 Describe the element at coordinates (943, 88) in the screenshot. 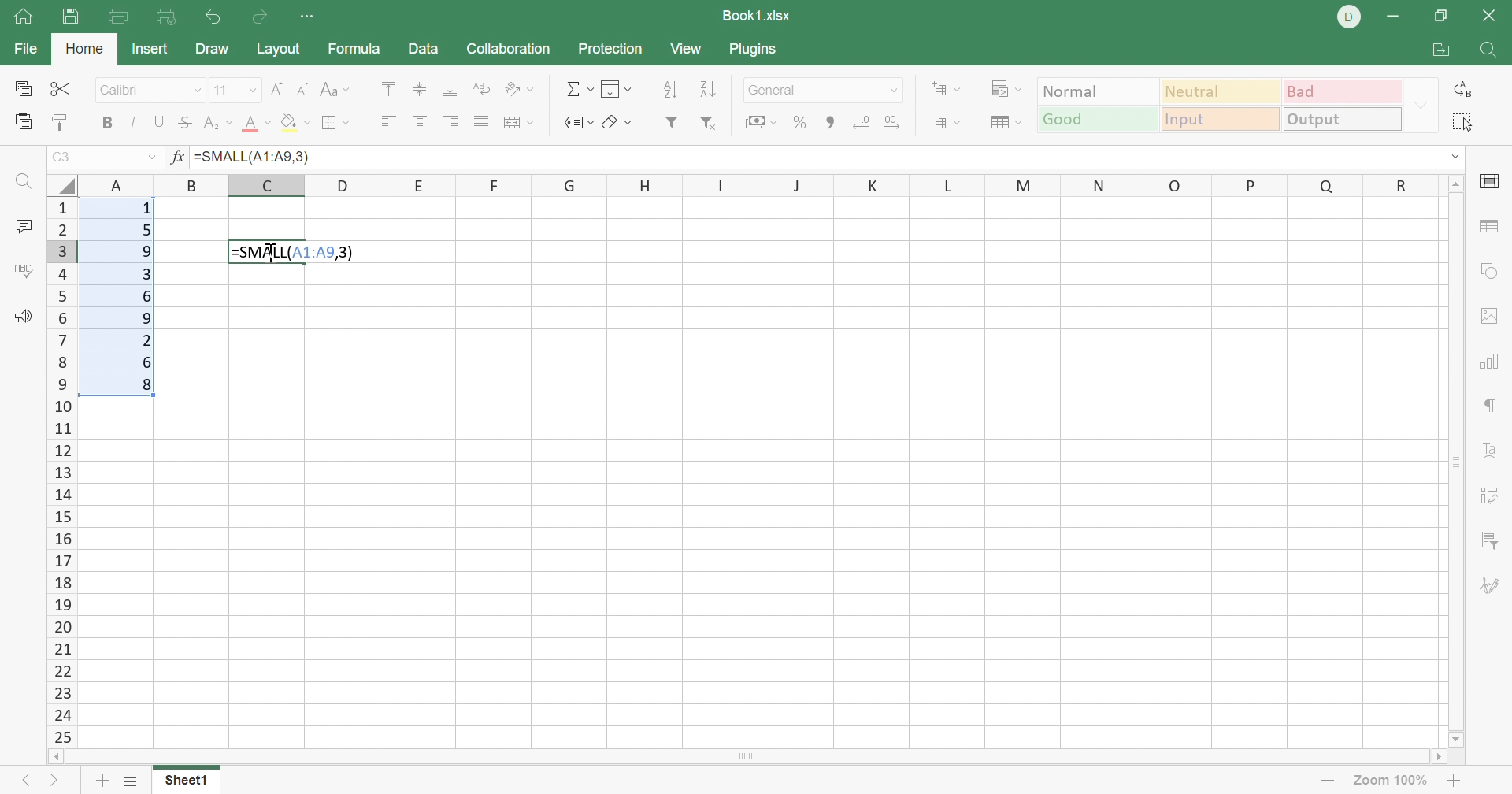

I see `Add cells` at that location.